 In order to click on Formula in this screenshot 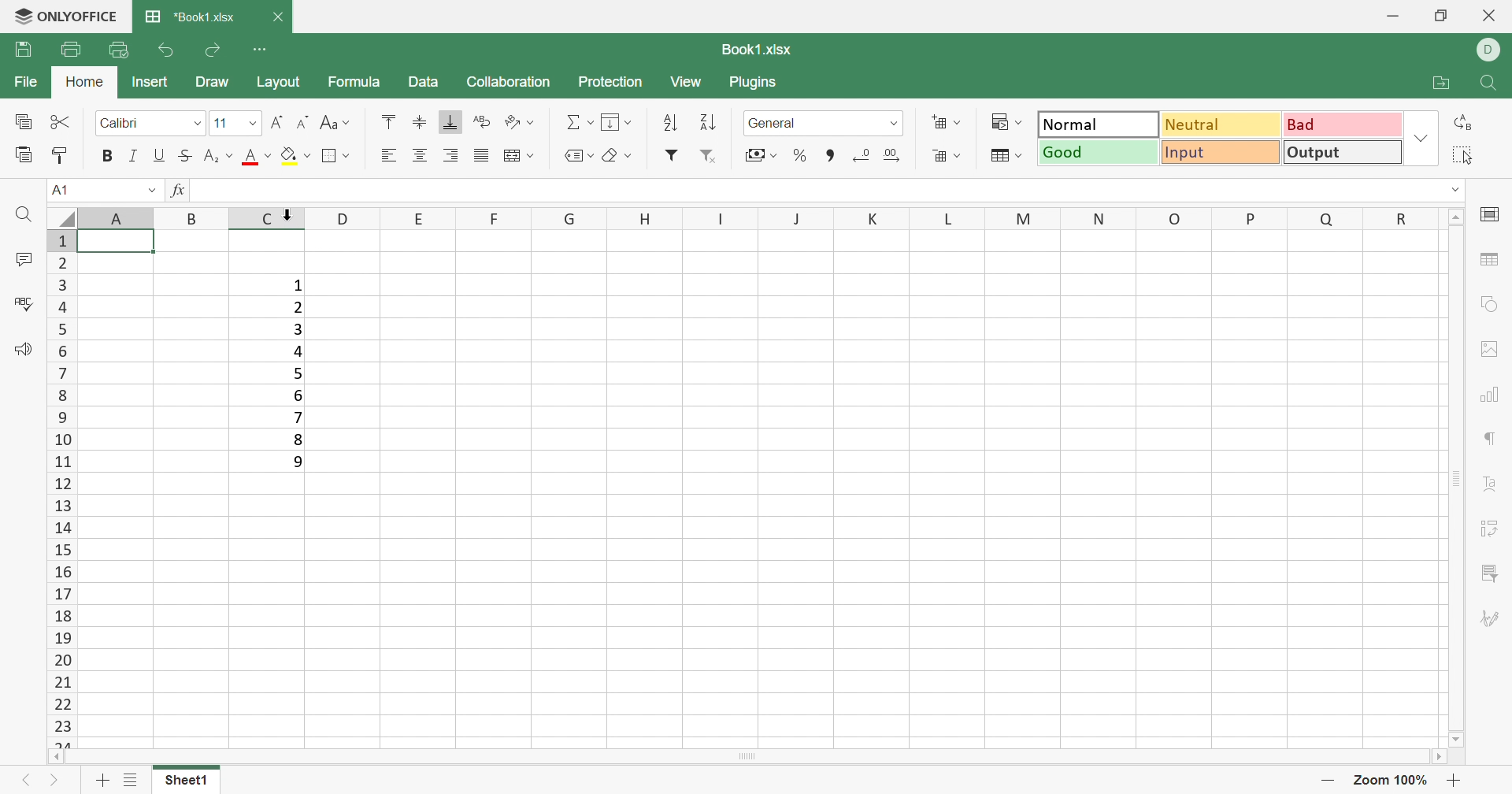, I will do `click(360, 83)`.